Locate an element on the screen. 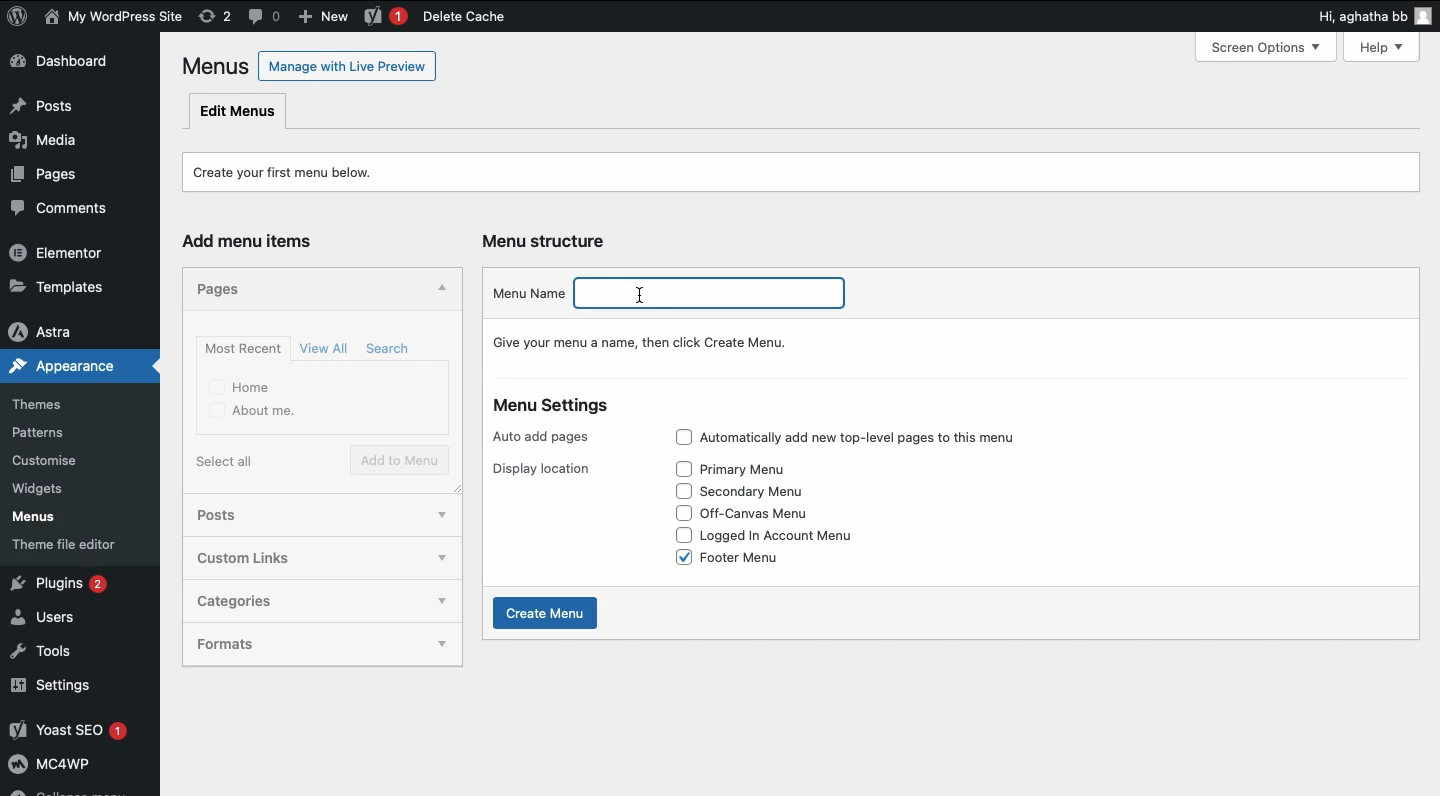 This screenshot has height=796, width=1440. Users is located at coordinates (57, 619).